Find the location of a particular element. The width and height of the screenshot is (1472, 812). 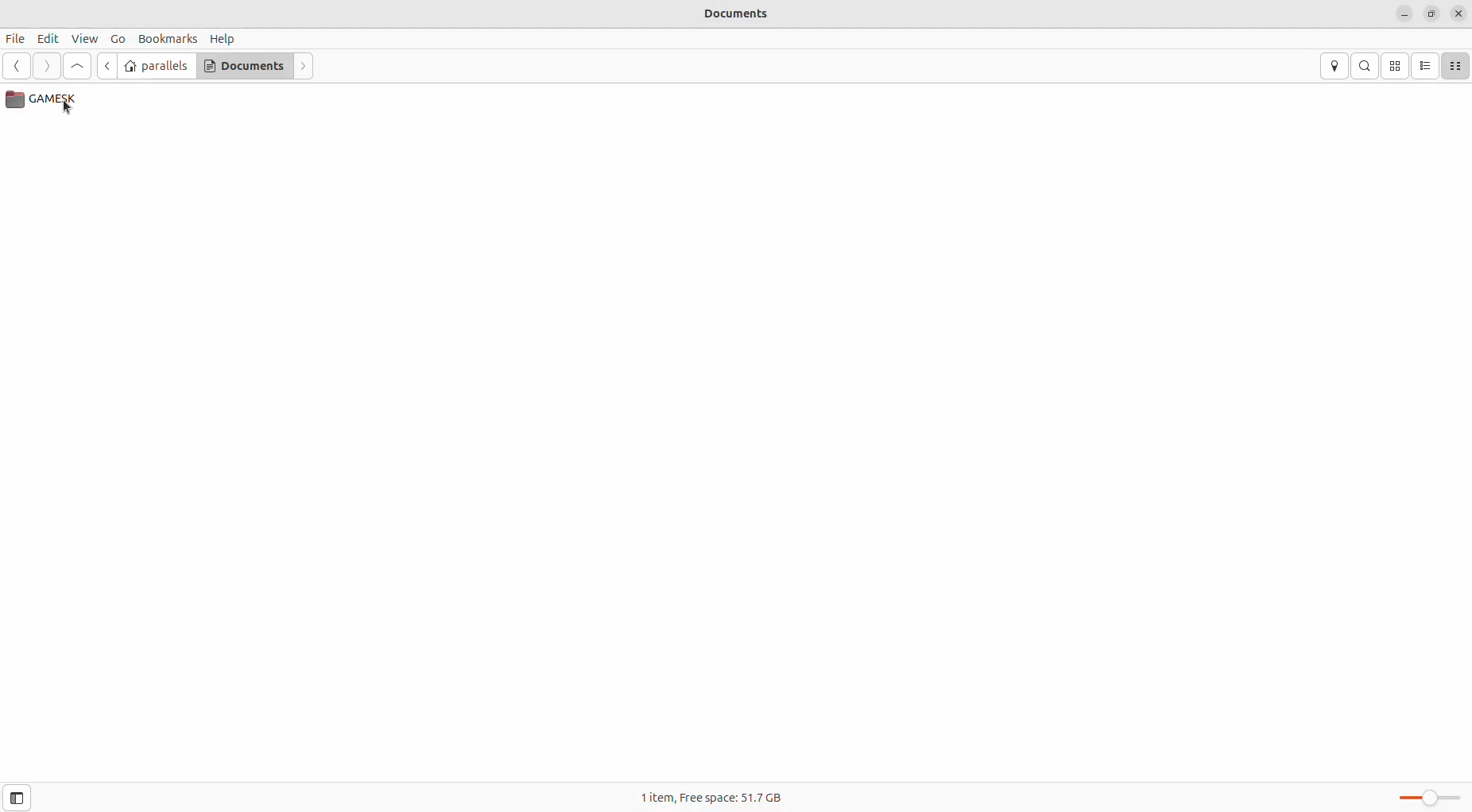

Go is located at coordinates (119, 40).